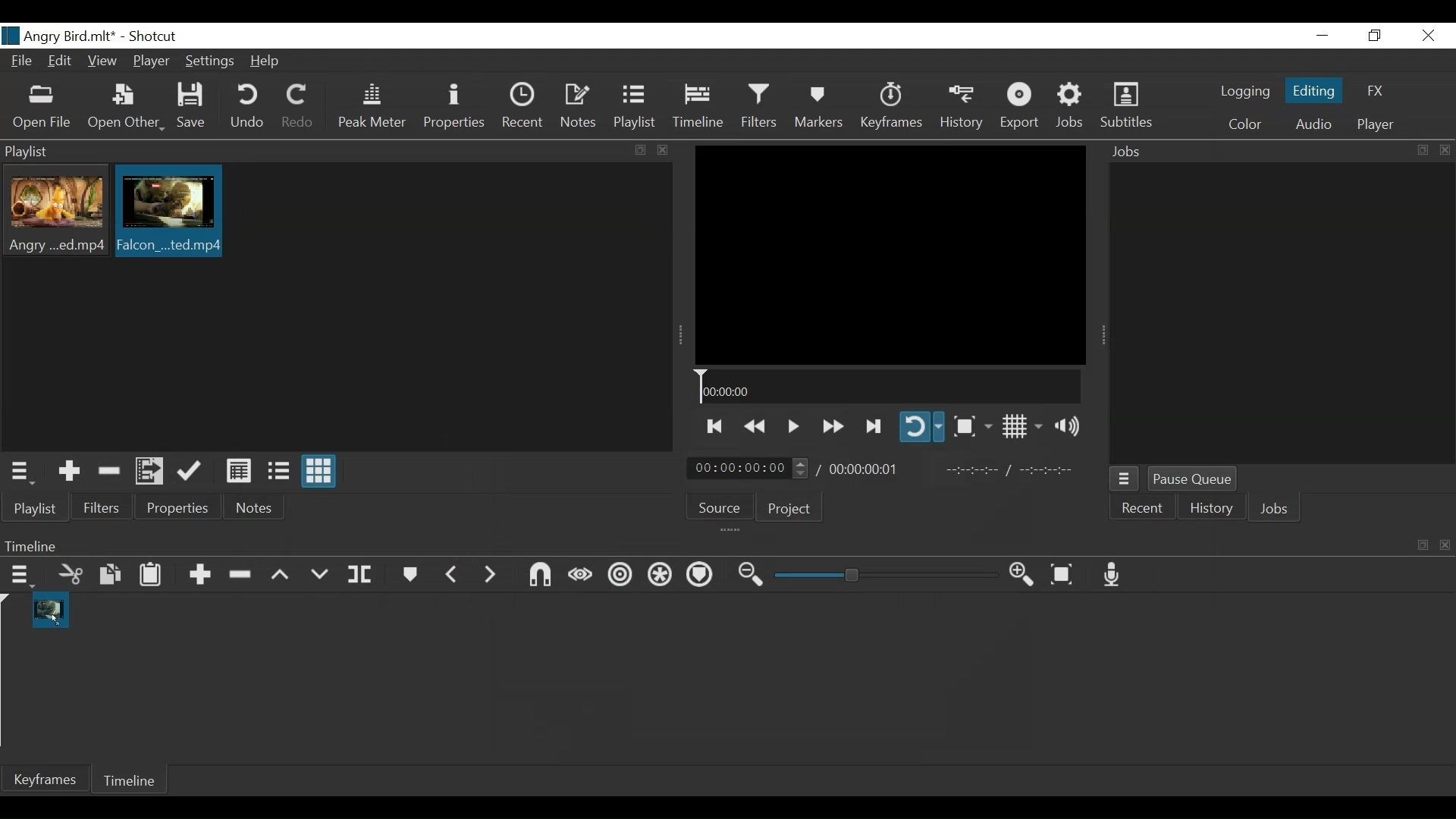 The width and height of the screenshot is (1456, 819). What do you see at coordinates (661, 576) in the screenshot?
I see `Ripple all tracks` at bounding box center [661, 576].